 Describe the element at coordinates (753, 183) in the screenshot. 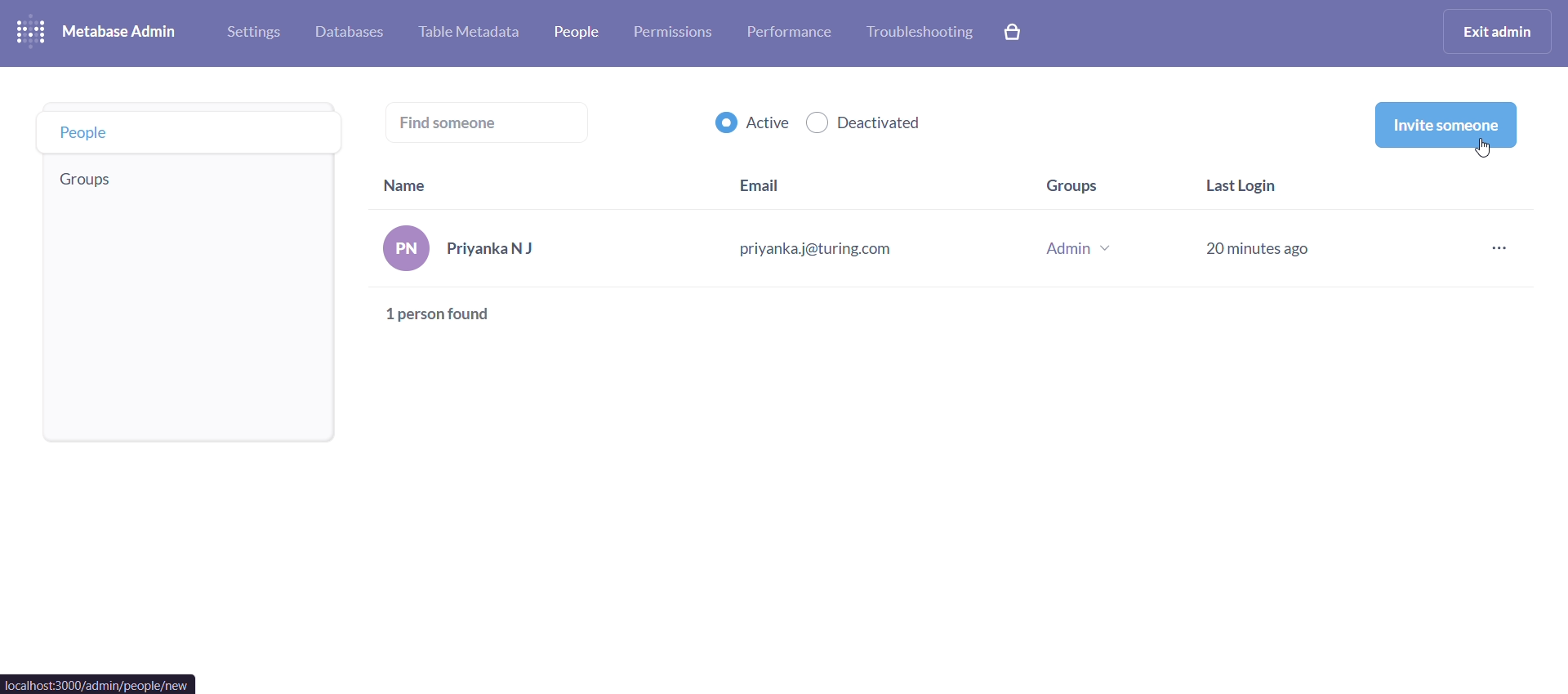

I see `email` at that location.